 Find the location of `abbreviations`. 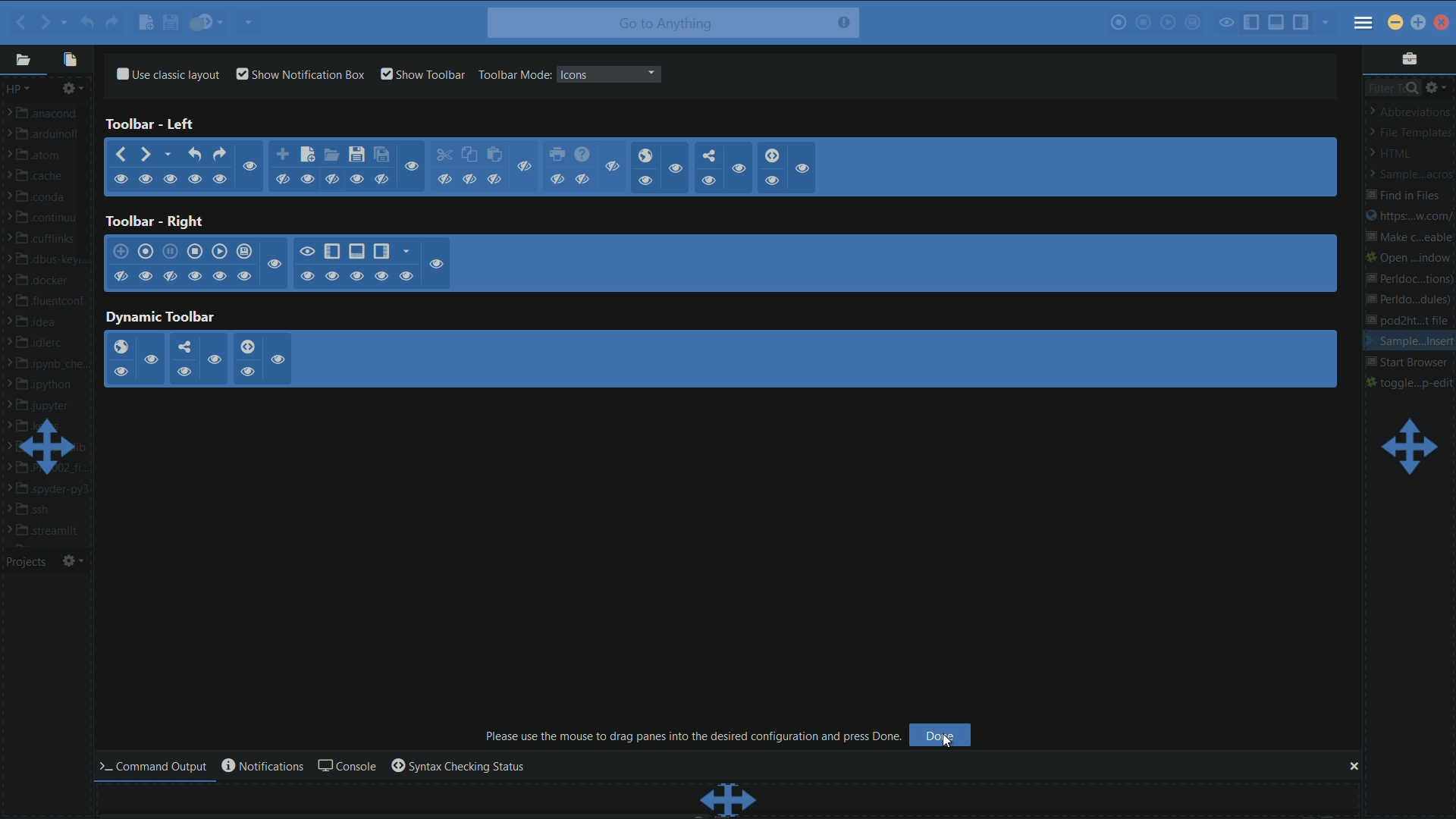

abbreviations is located at coordinates (1411, 111).